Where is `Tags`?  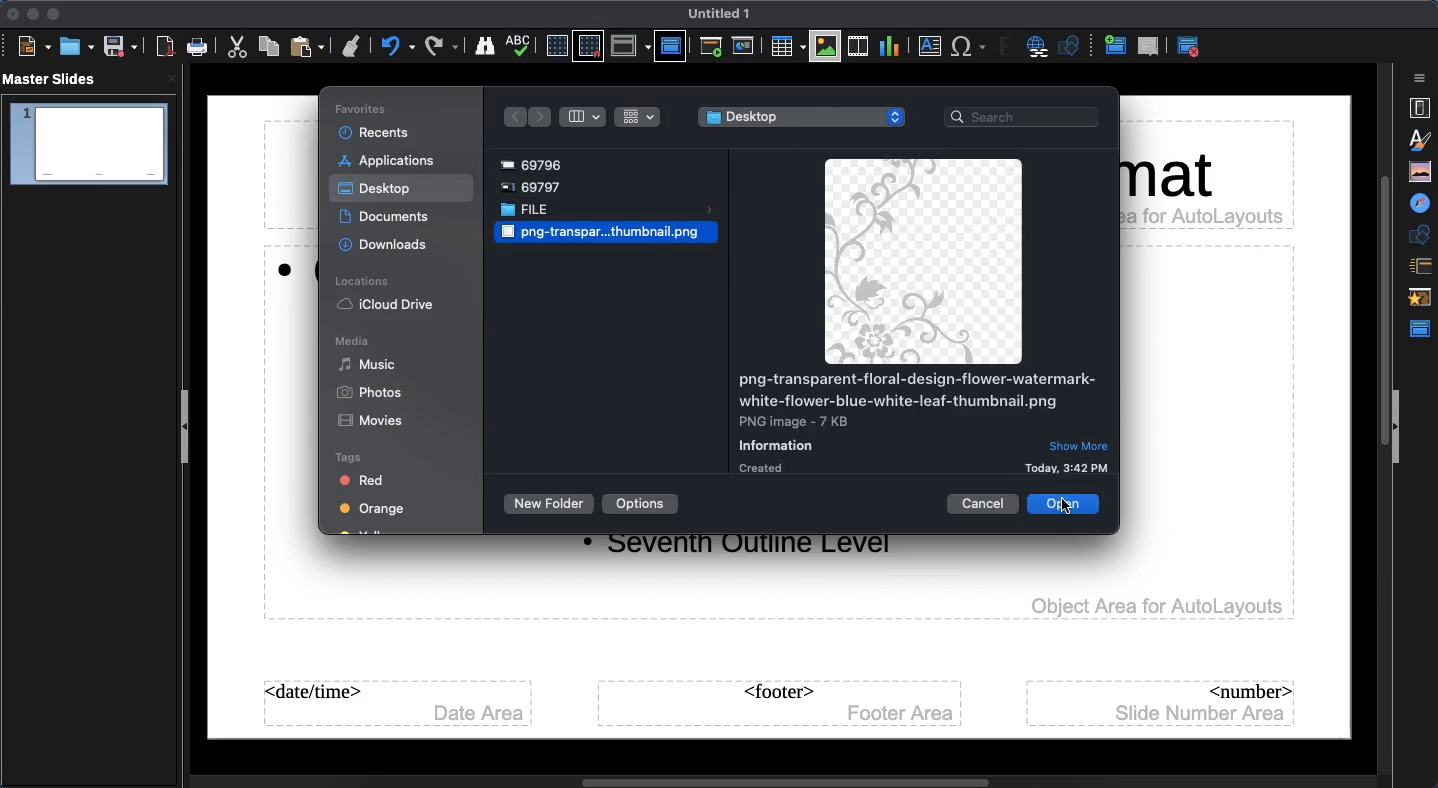
Tags is located at coordinates (350, 458).